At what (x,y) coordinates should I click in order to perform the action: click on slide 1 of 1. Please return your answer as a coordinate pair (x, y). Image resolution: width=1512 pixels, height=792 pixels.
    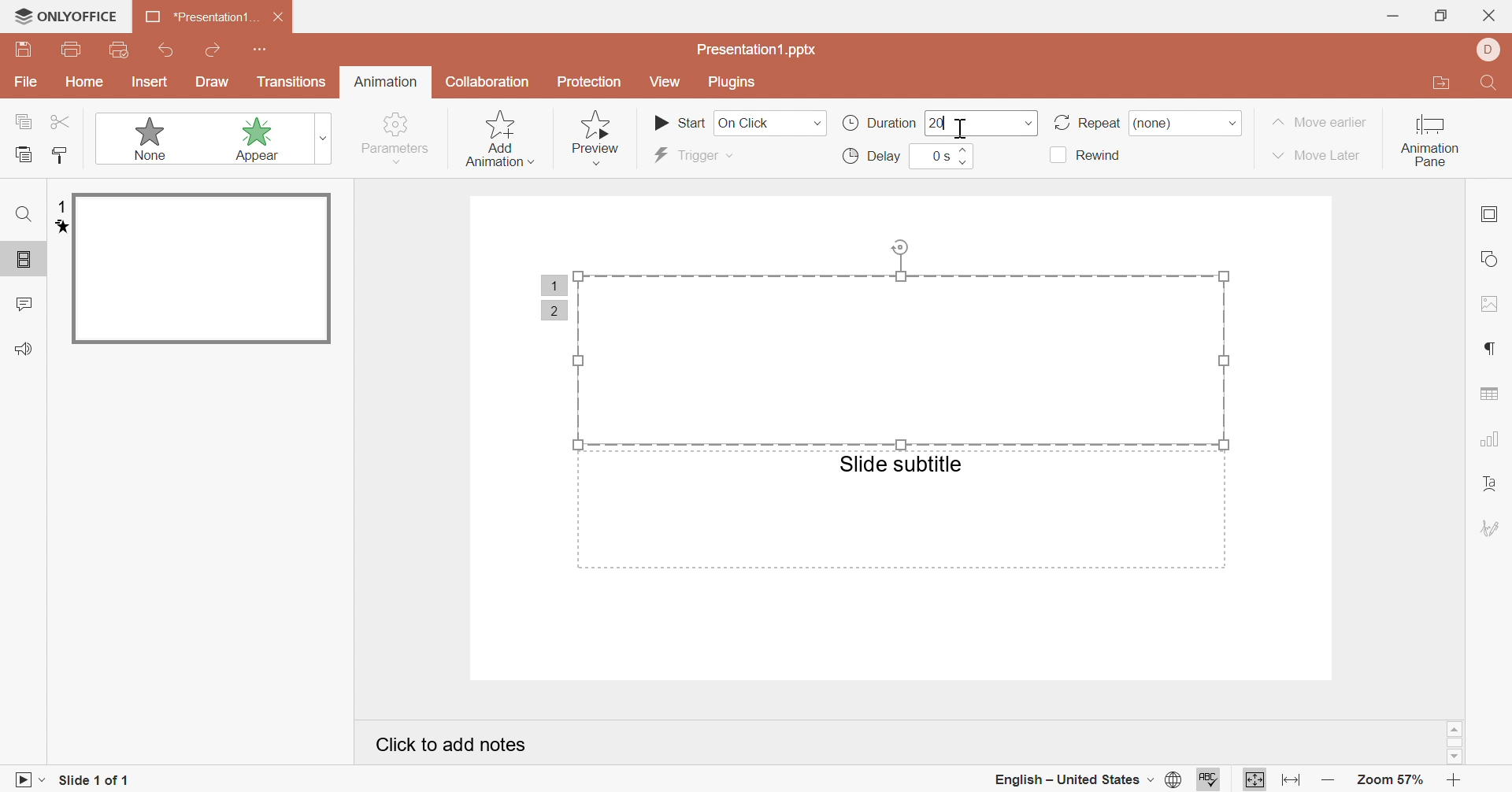
    Looking at the image, I should click on (95, 781).